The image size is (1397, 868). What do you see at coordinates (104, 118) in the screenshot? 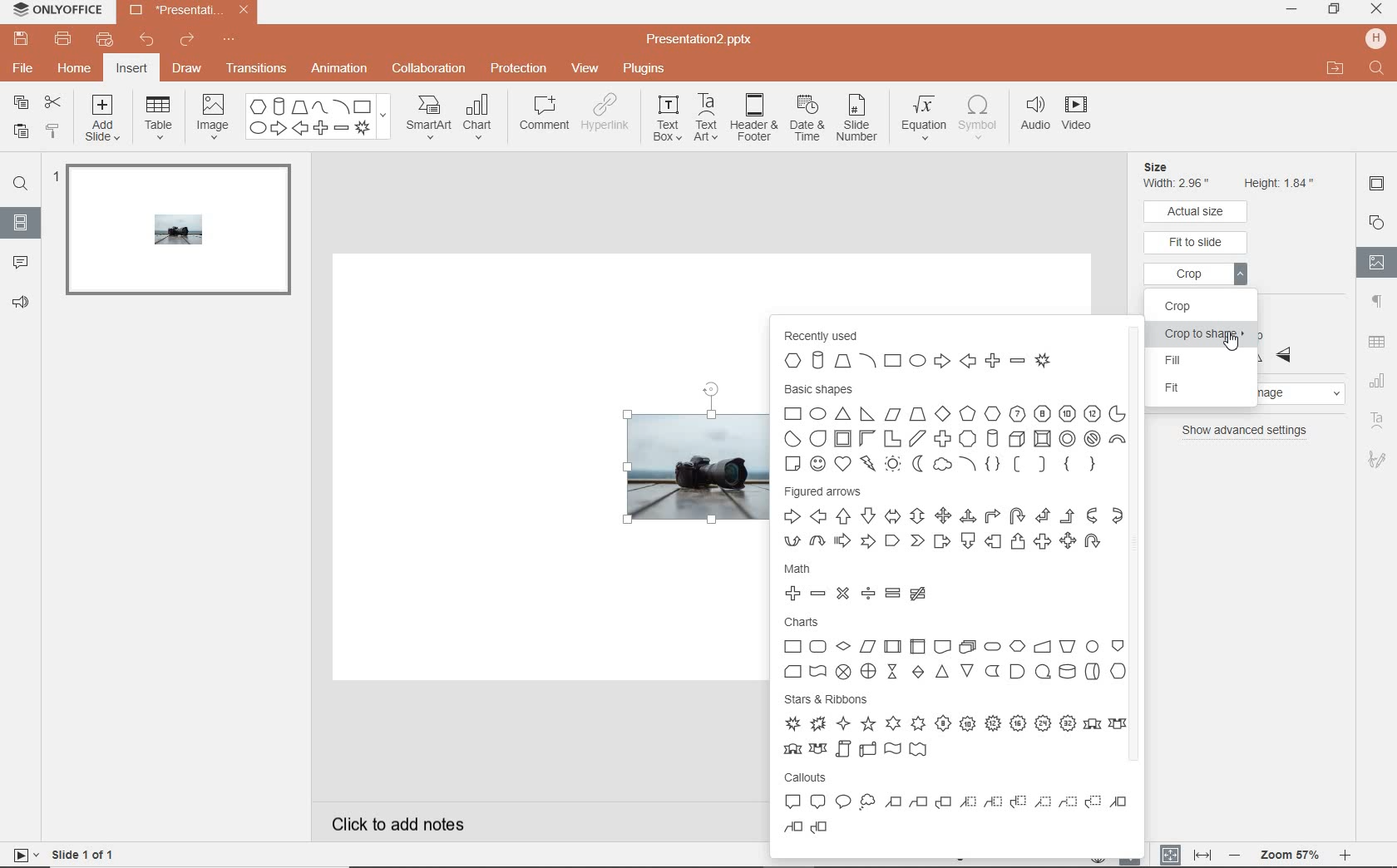
I see `add slide` at bounding box center [104, 118].